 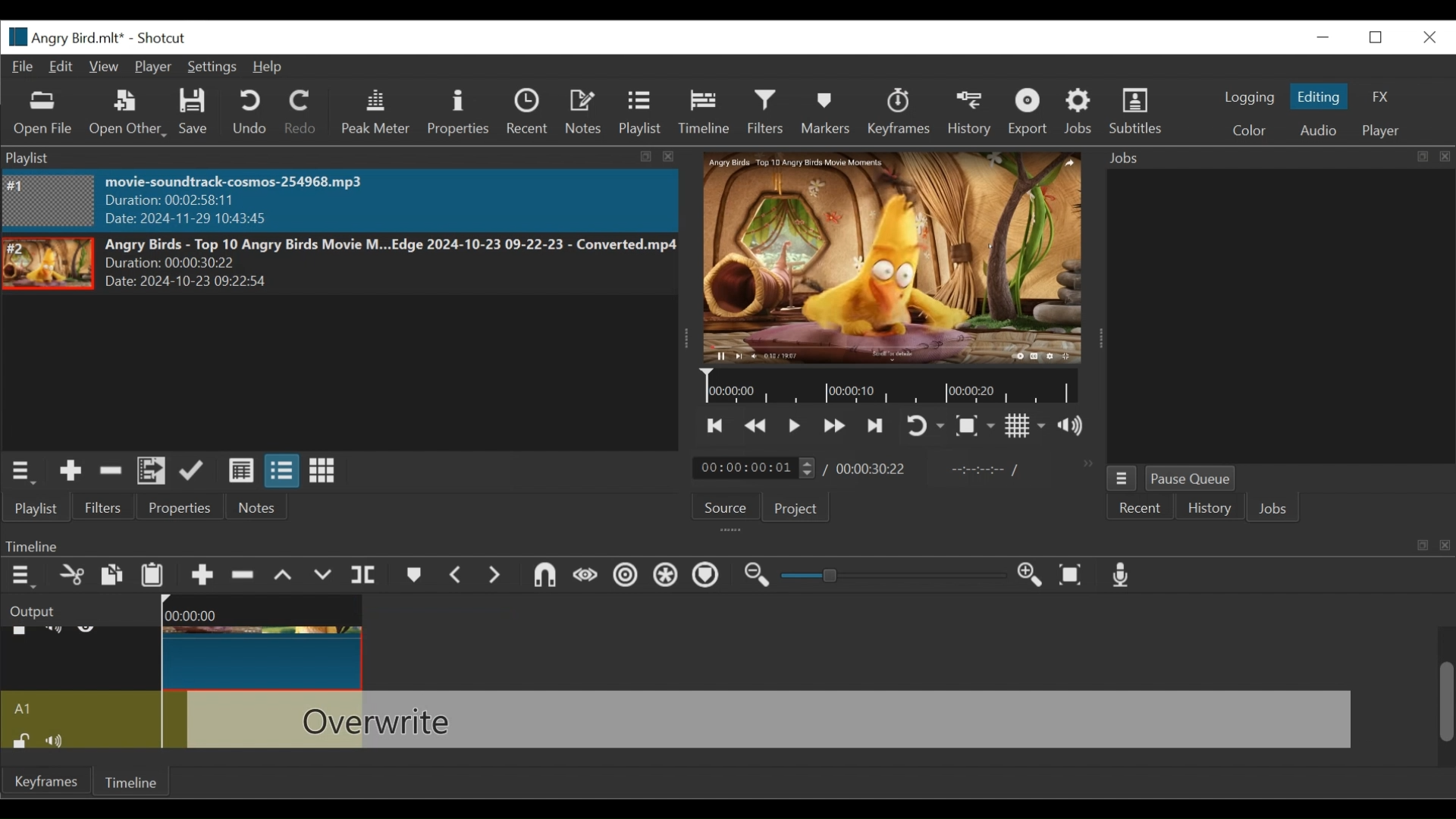 I want to click on minimize, so click(x=1323, y=35).